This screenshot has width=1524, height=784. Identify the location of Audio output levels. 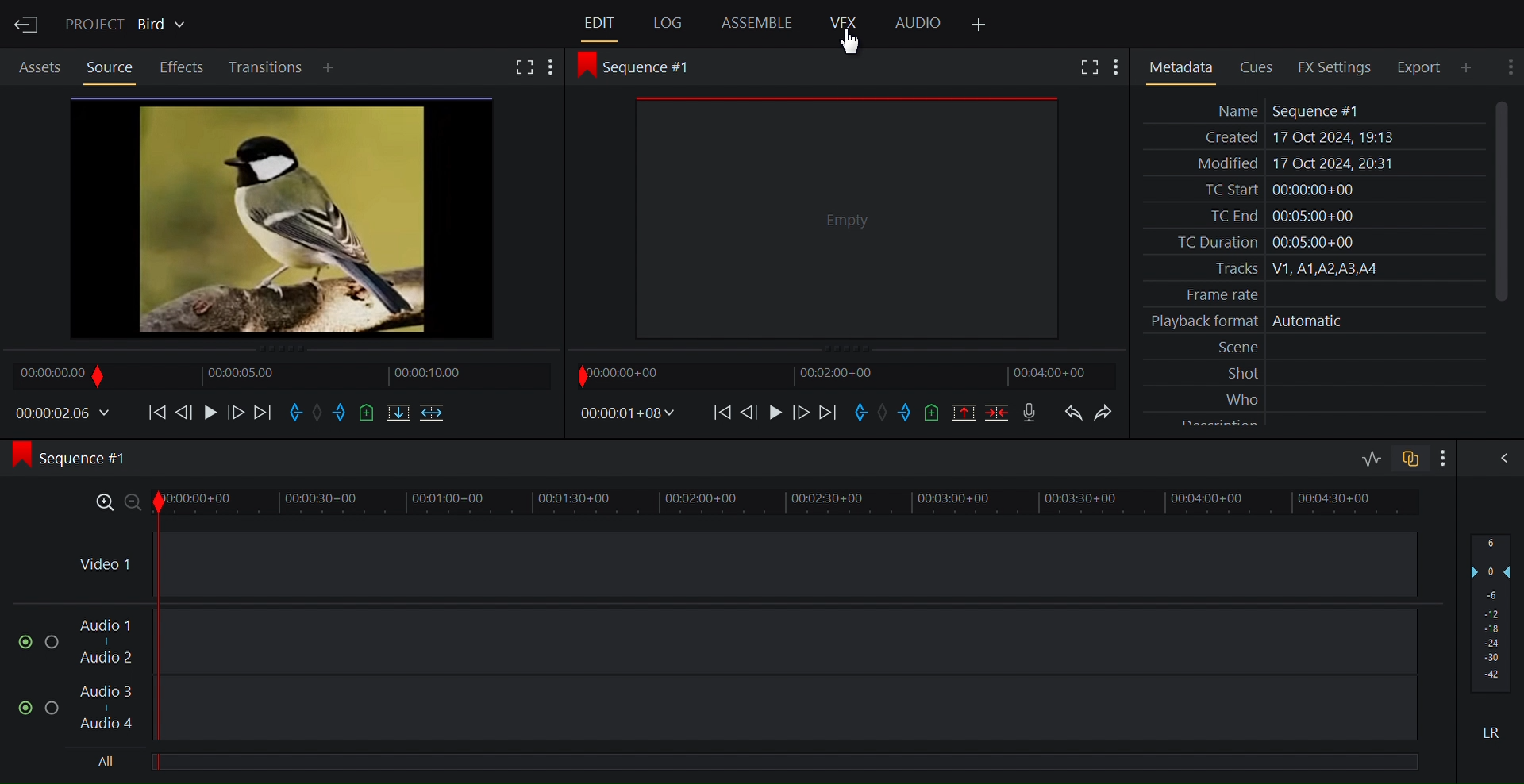
(1489, 610).